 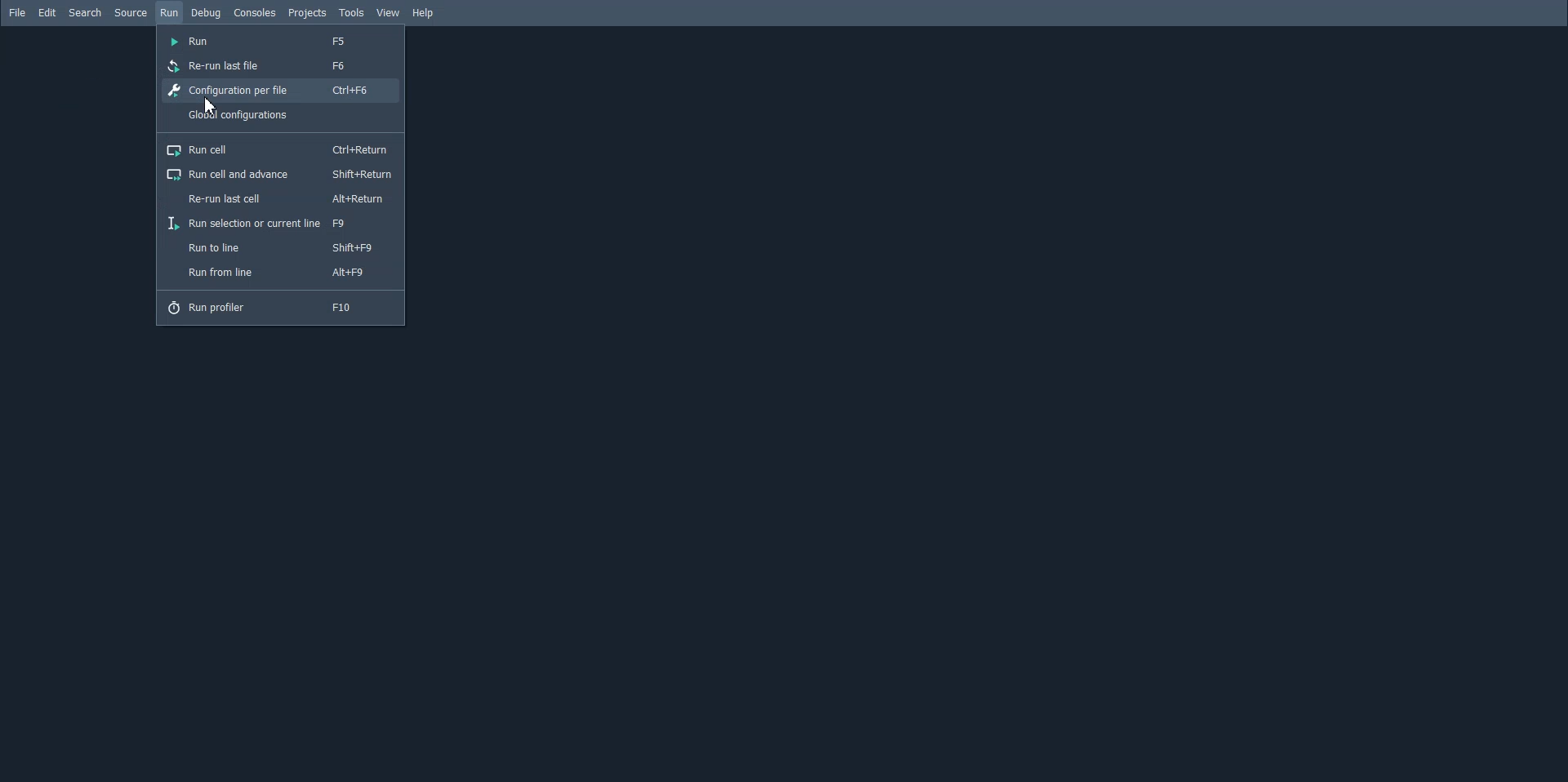 I want to click on Run, so click(x=169, y=12).